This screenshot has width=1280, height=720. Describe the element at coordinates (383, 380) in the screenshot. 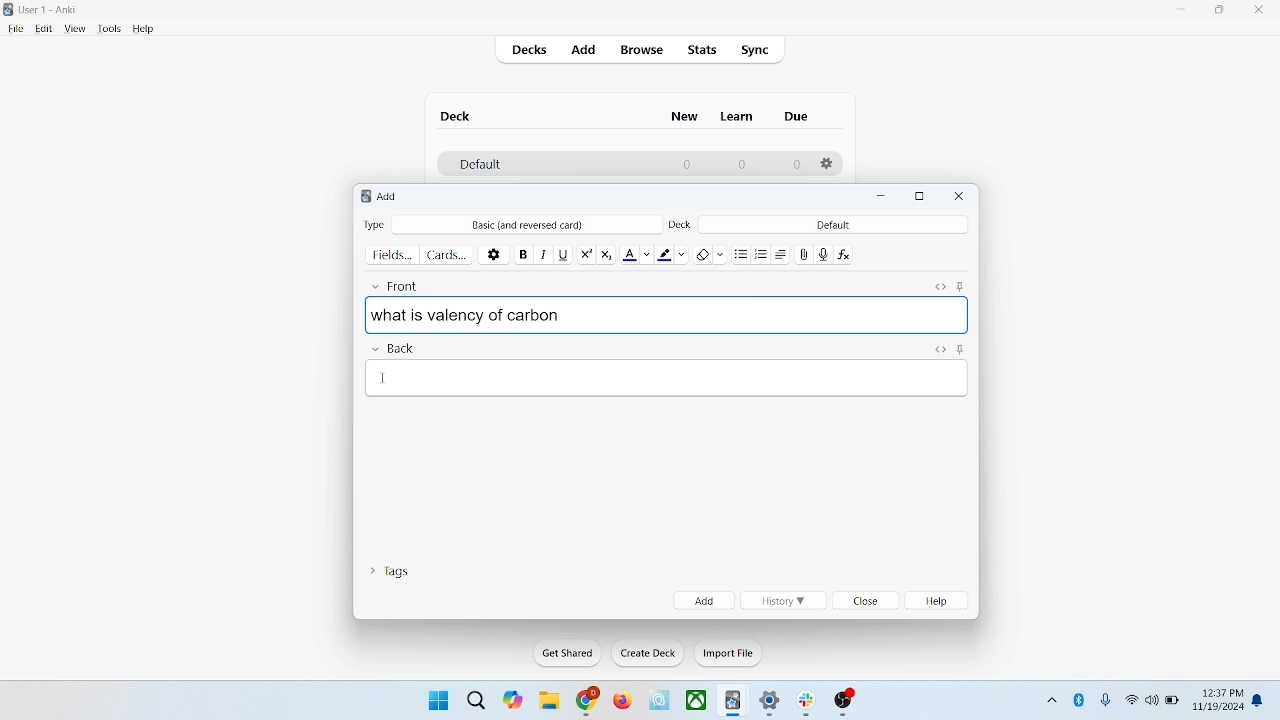

I see `cursor` at that location.